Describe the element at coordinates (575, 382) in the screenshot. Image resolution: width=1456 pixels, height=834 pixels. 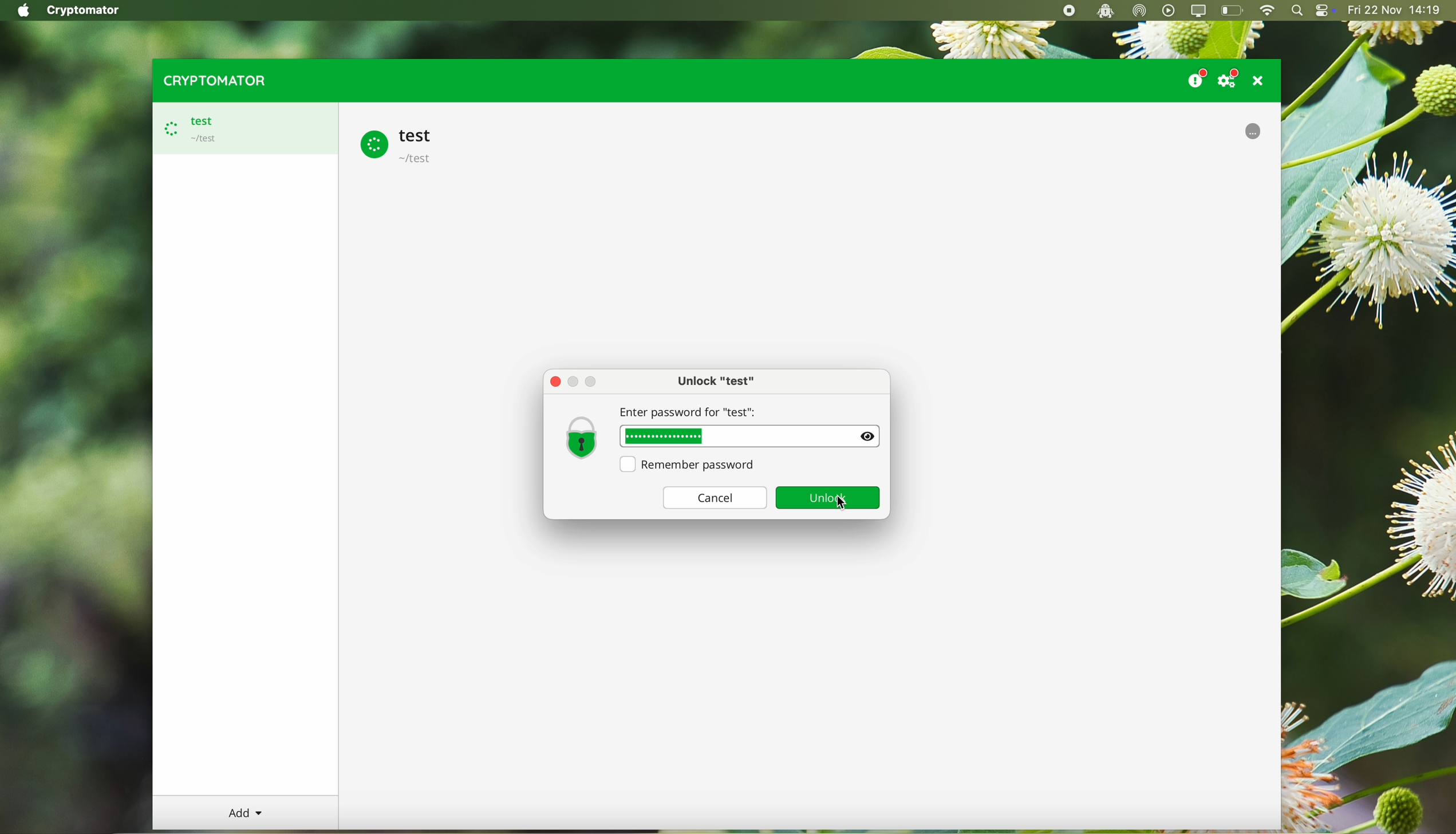
I see `Minimize ` at that location.